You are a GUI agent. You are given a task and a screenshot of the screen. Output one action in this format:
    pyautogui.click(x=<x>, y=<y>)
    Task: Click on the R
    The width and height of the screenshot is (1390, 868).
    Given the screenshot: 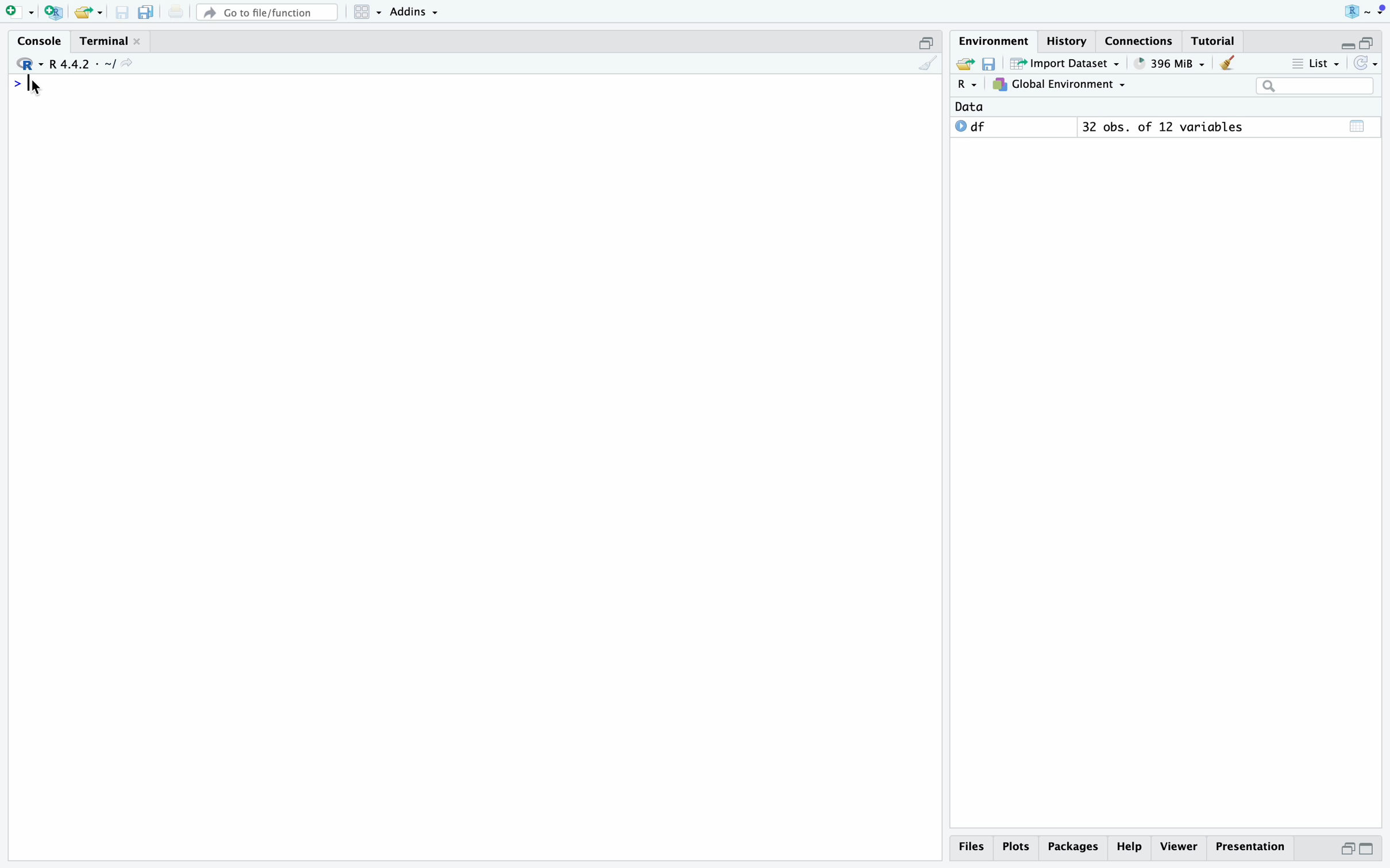 What is the action you would take?
    pyautogui.click(x=29, y=64)
    